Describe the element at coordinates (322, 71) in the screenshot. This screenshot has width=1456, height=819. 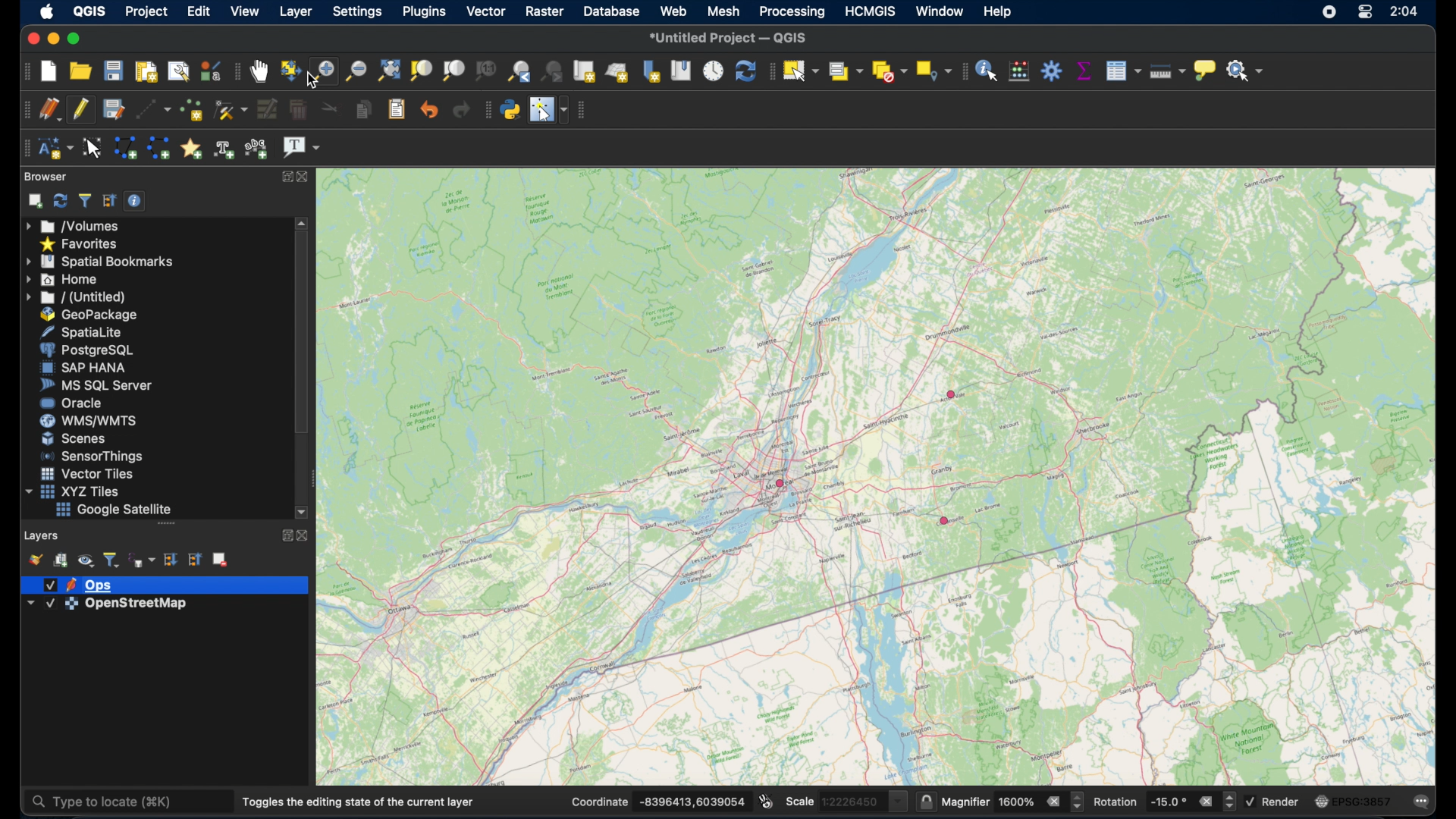
I see `zoom in` at that location.